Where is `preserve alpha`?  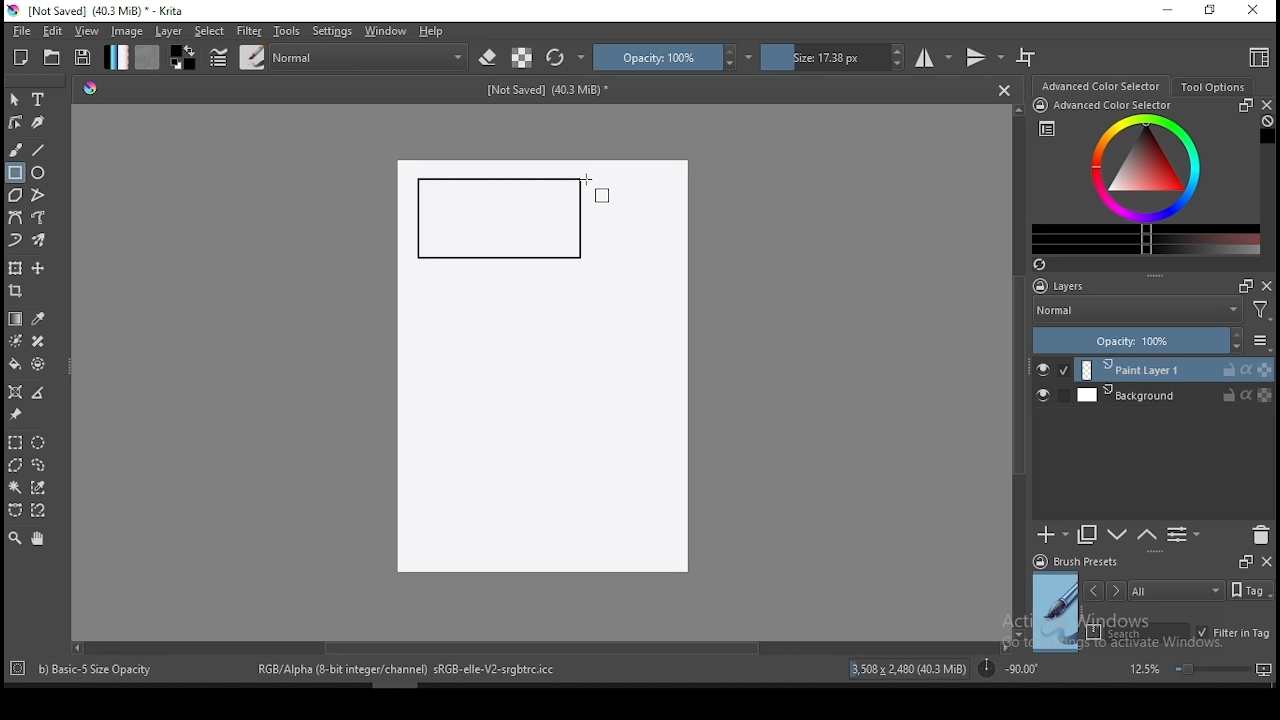
preserve alpha is located at coordinates (522, 59).